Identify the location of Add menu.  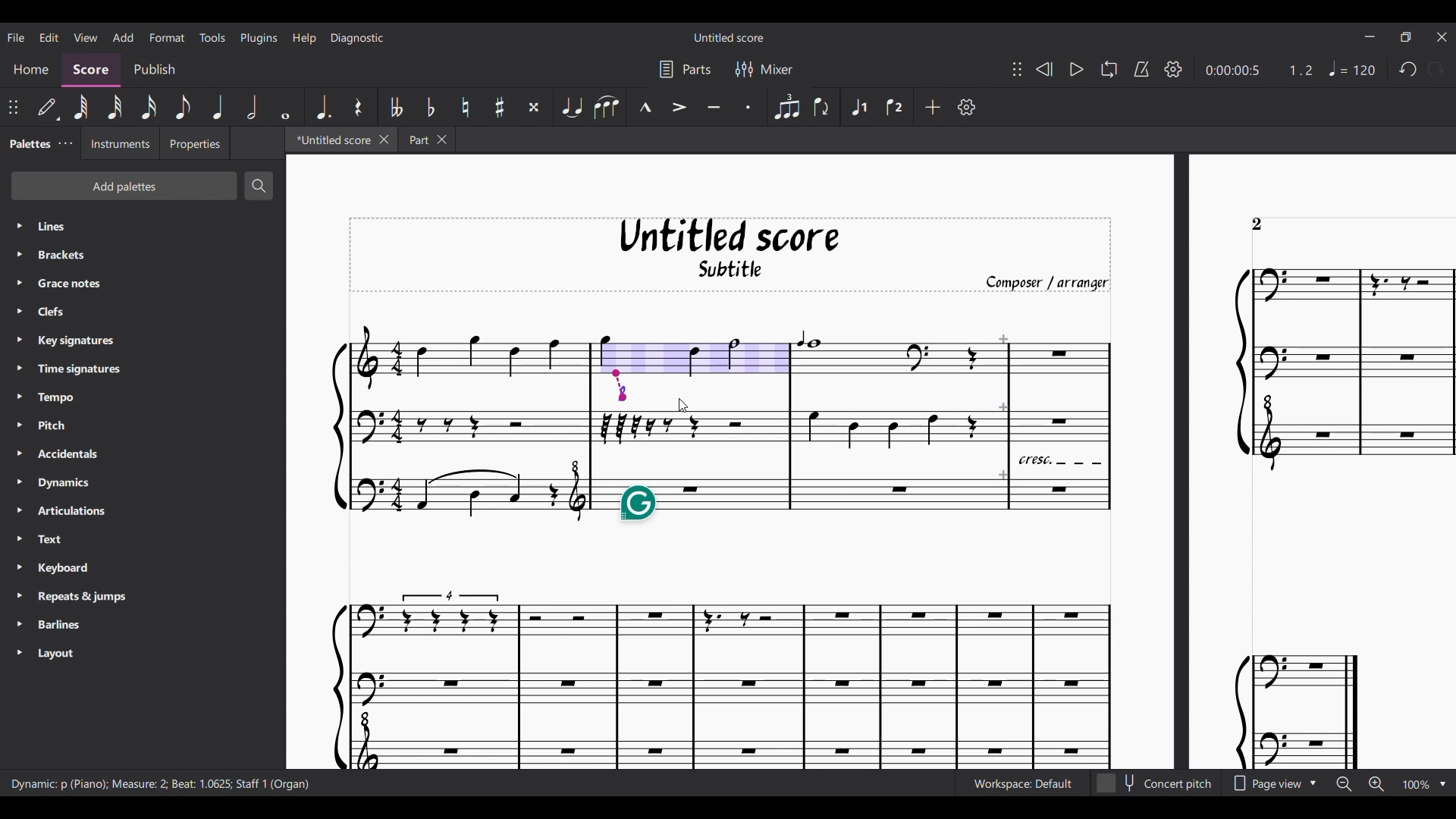
(123, 37).